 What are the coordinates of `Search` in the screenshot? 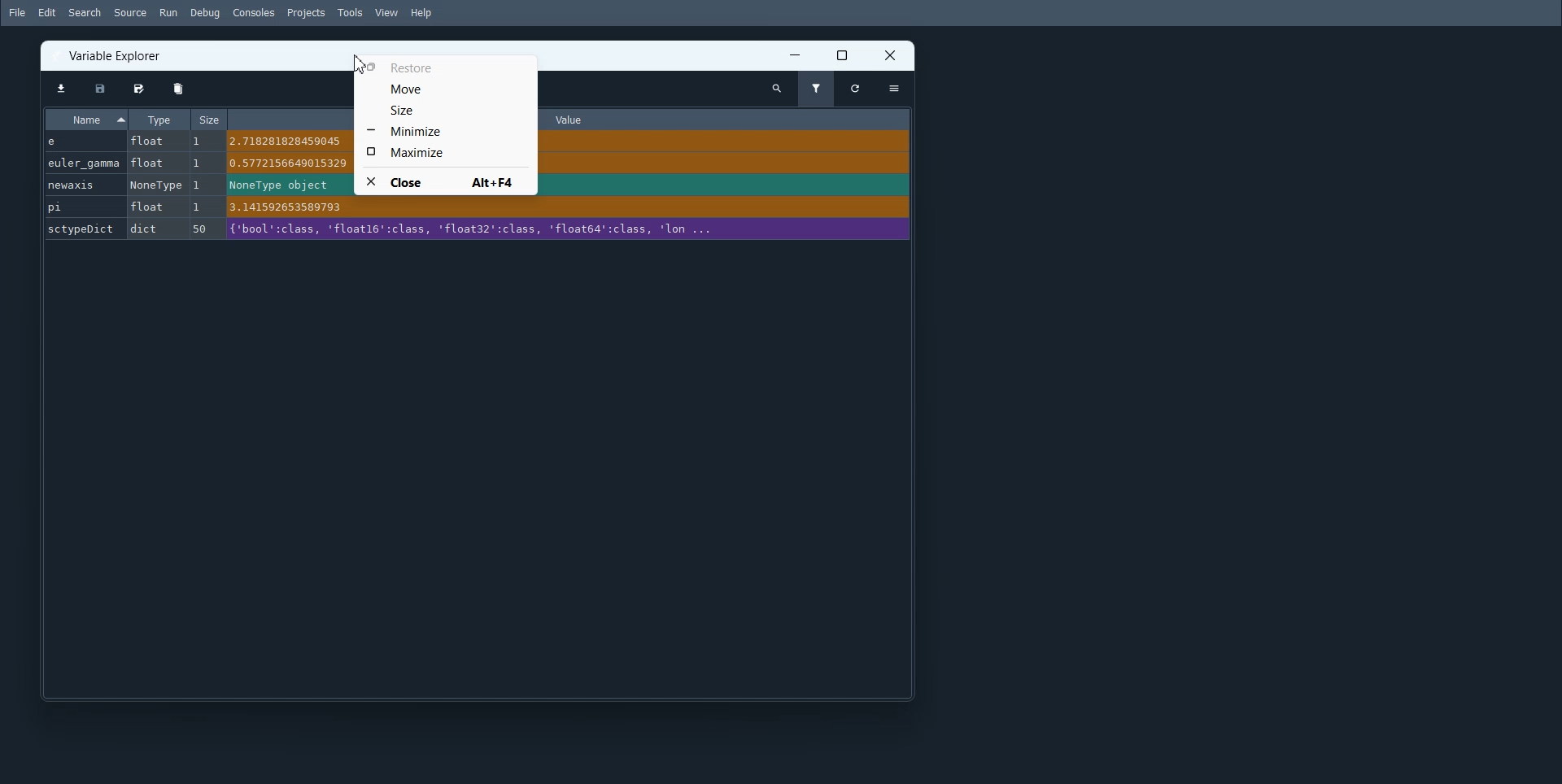 It's located at (85, 12).